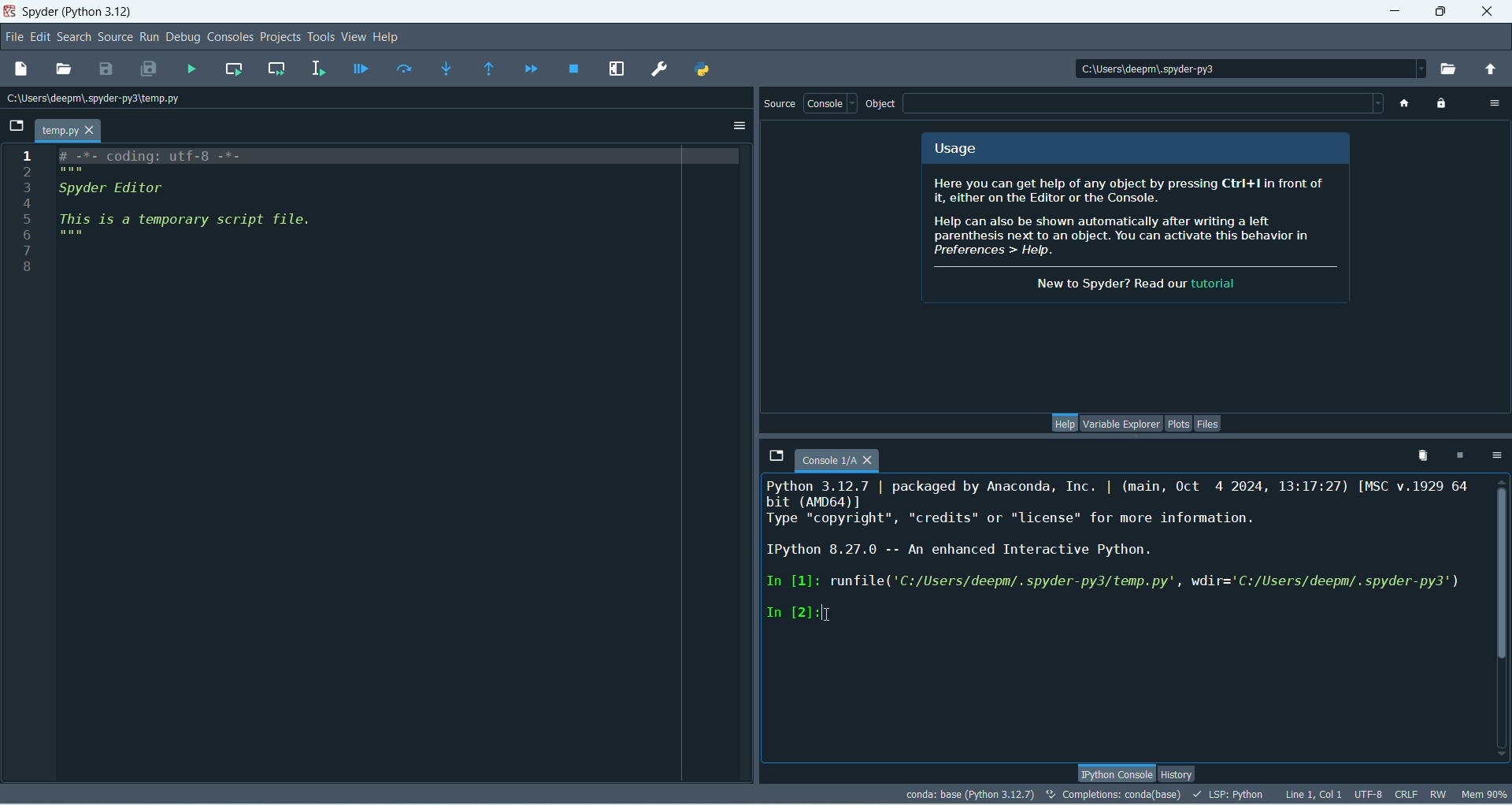  Describe the element at coordinates (1464, 455) in the screenshot. I see `interrupt kernel` at that location.